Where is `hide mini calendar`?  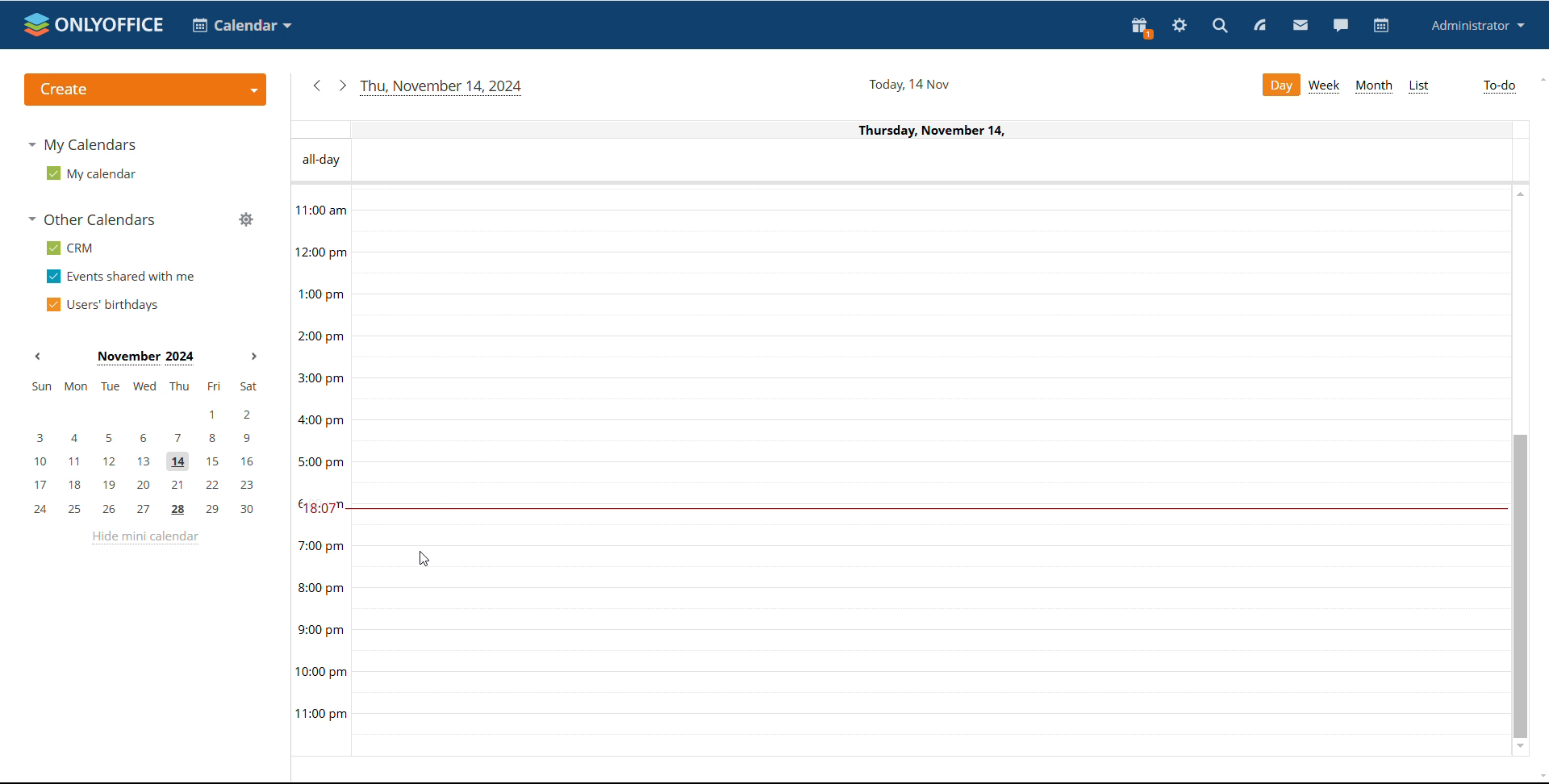
hide mini calendar is located at coordinates (144, 538).